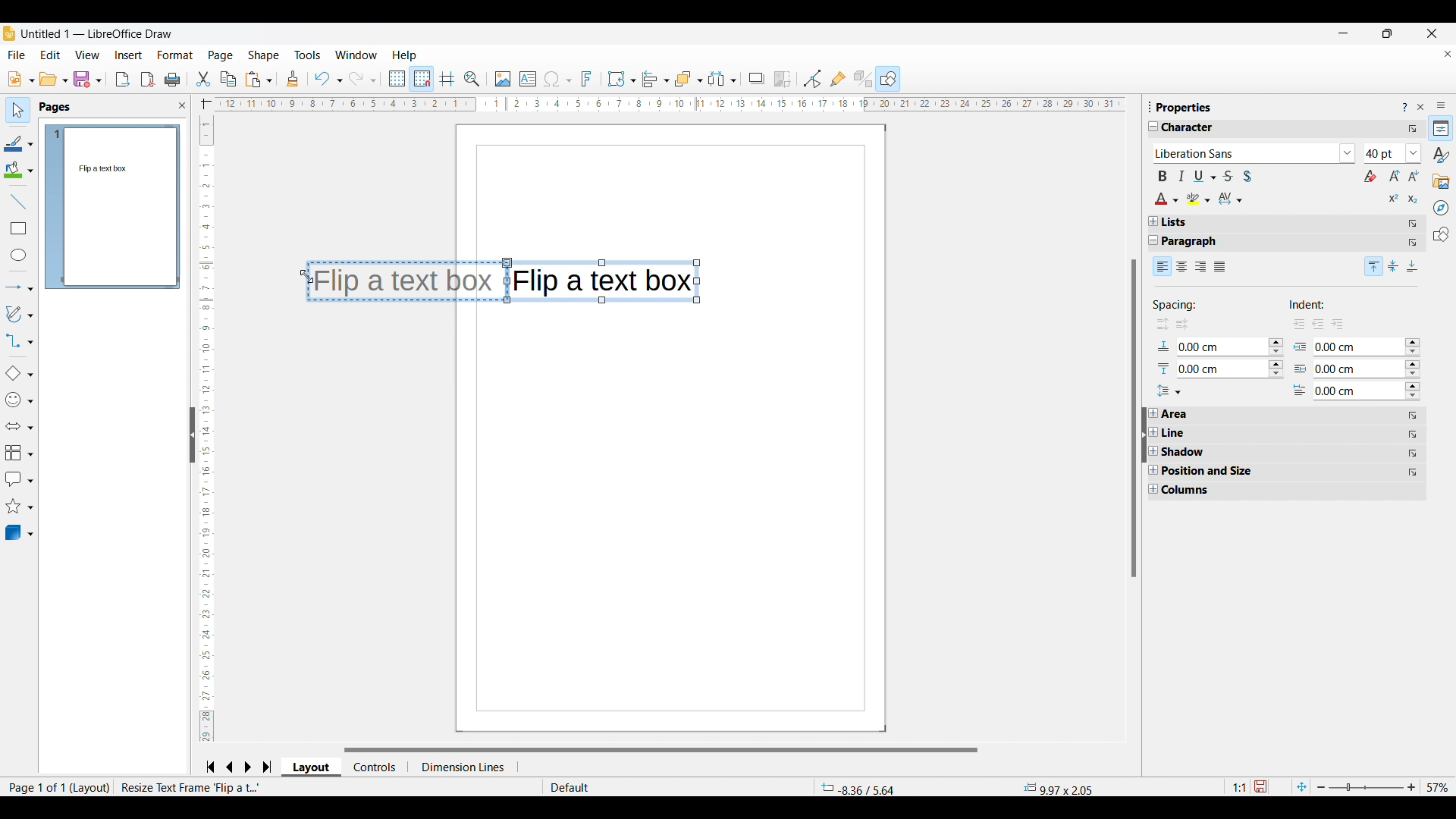  Describe the element at coordinates (1238, 787) in the screenshot. I see `1:1` at that location.